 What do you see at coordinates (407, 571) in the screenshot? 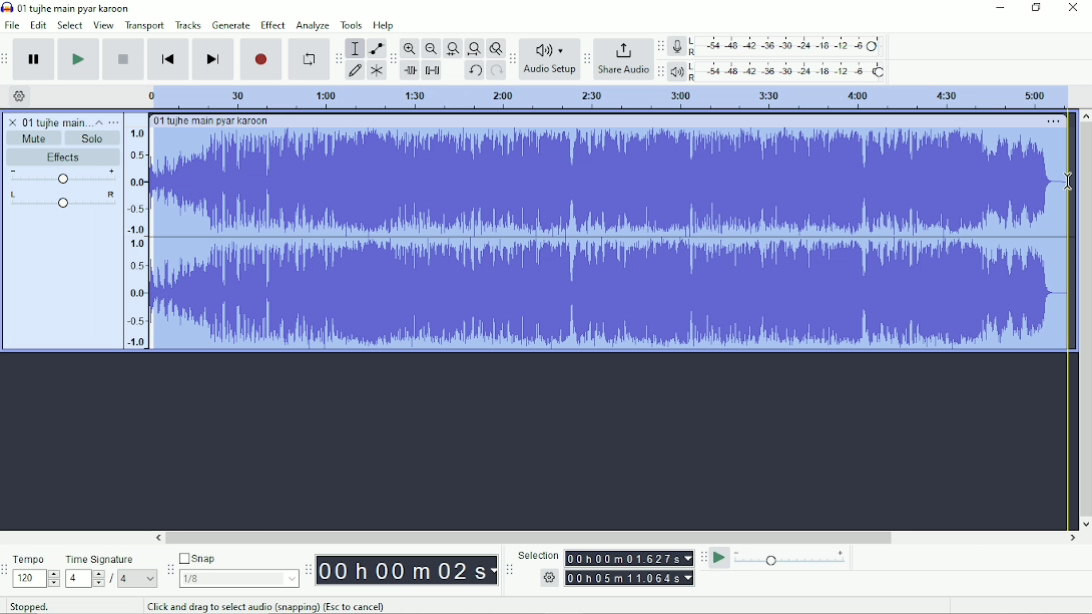
I see `00 h 00 m 00.00s` at bounding box center [407, 571].